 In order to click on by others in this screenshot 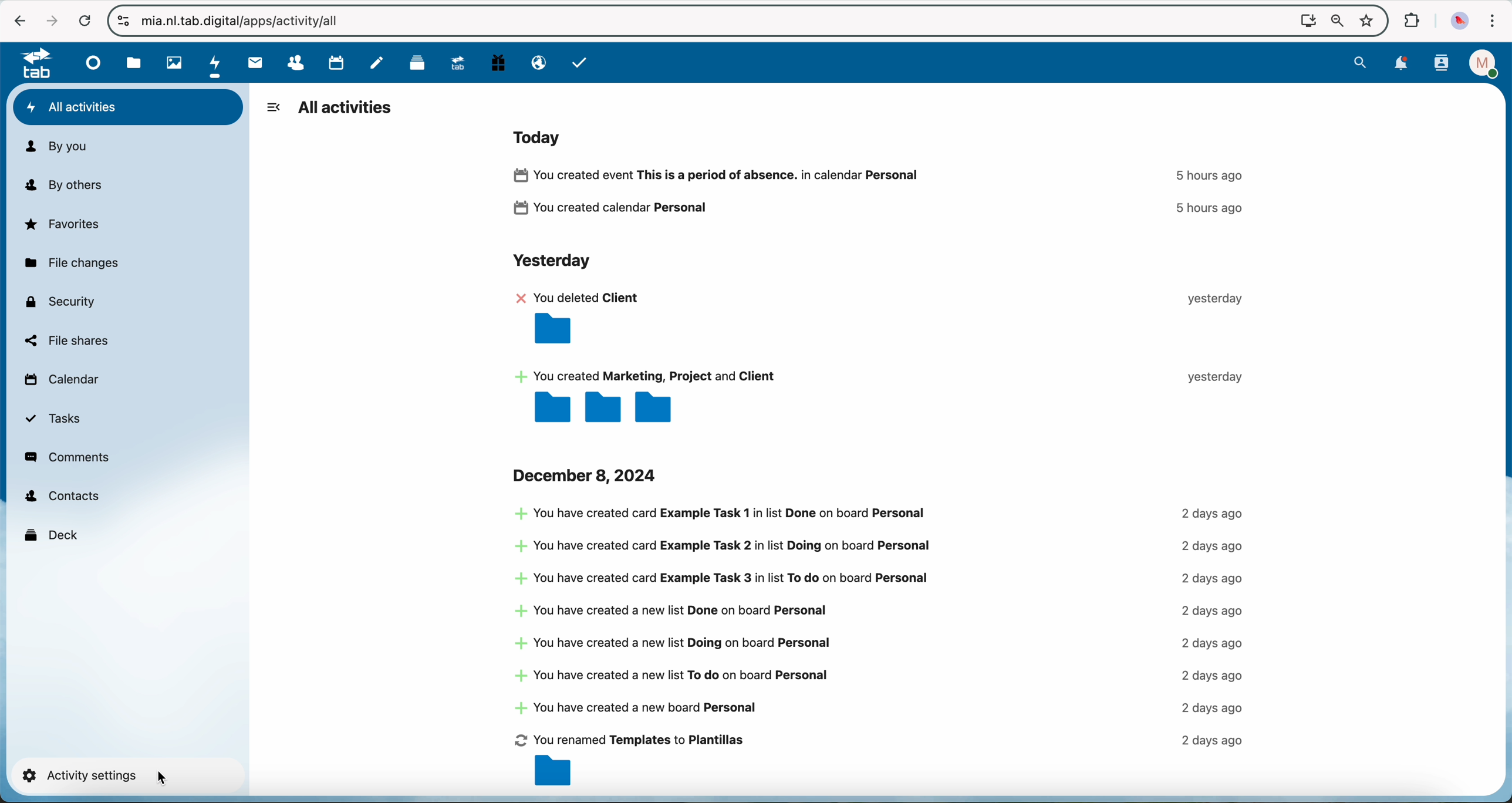, I will do `click(70, 185)`.